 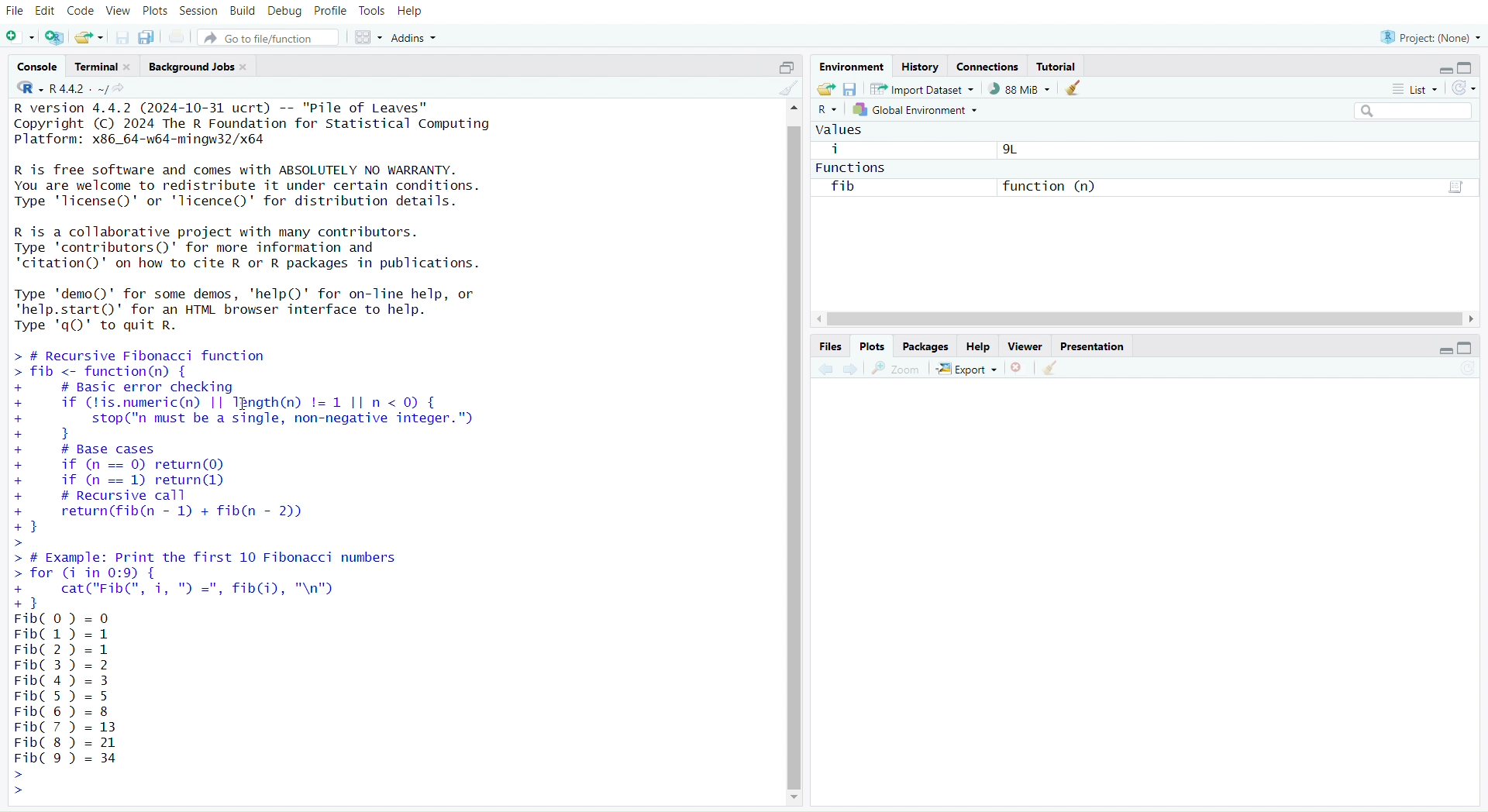 What do you see at coordinates (1020, 89) in the screenshot?
I see `88mib` at bounding box center [1020, 89].